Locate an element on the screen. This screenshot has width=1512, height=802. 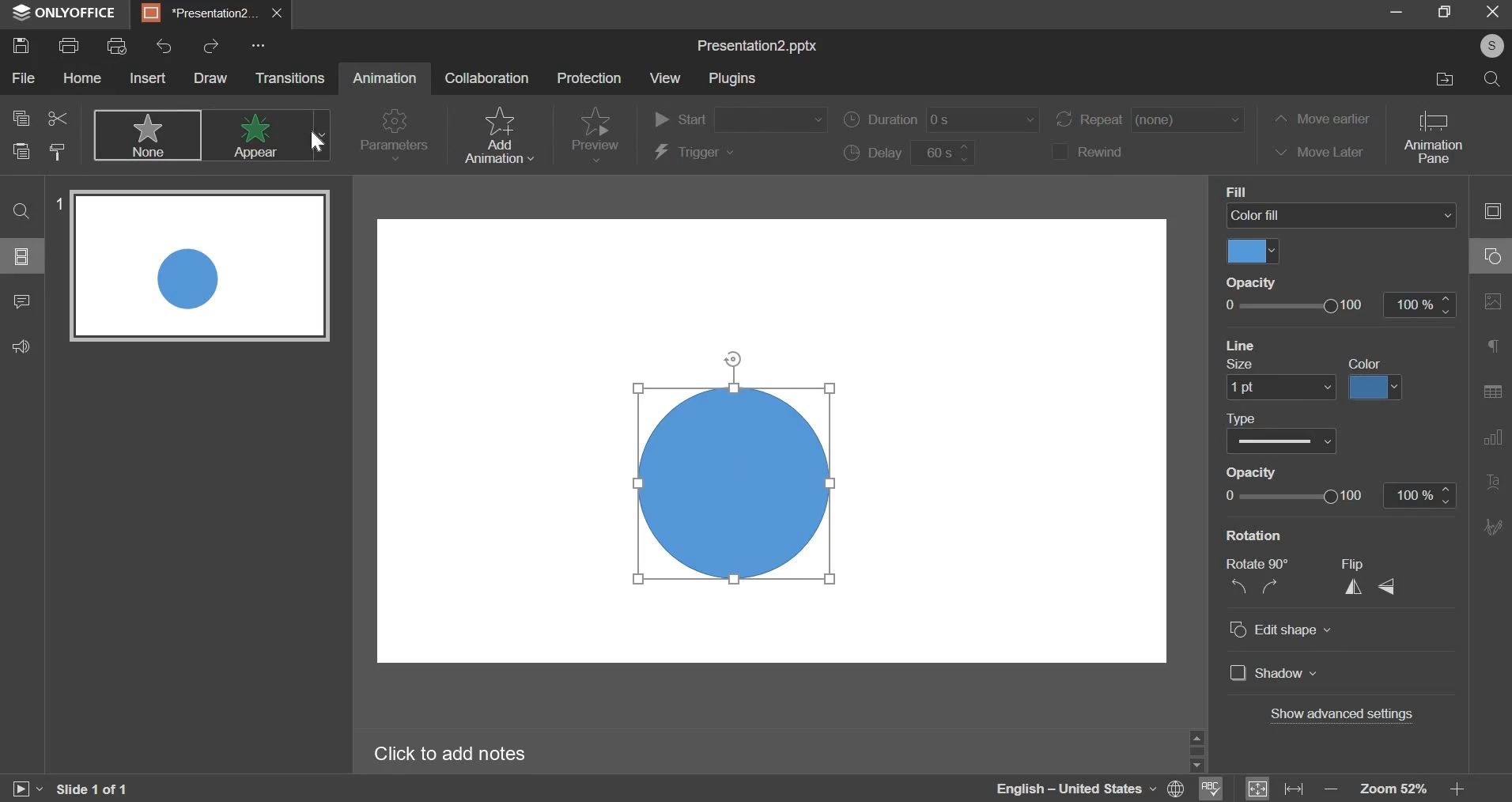
spellcheck is located at coordinates (1212, 786).